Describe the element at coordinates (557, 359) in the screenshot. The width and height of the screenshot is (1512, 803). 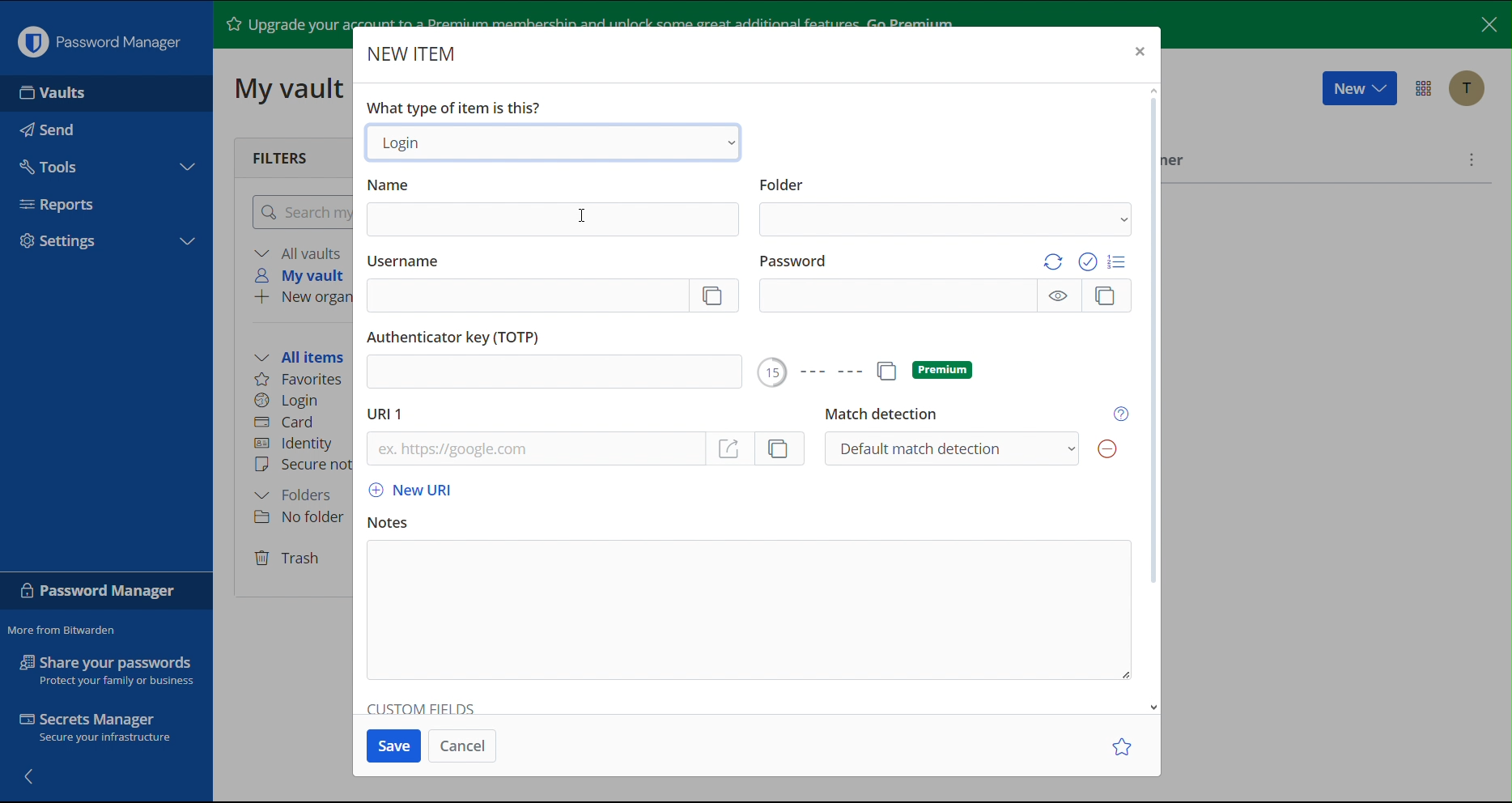
I see `Authenticator key` at that location.